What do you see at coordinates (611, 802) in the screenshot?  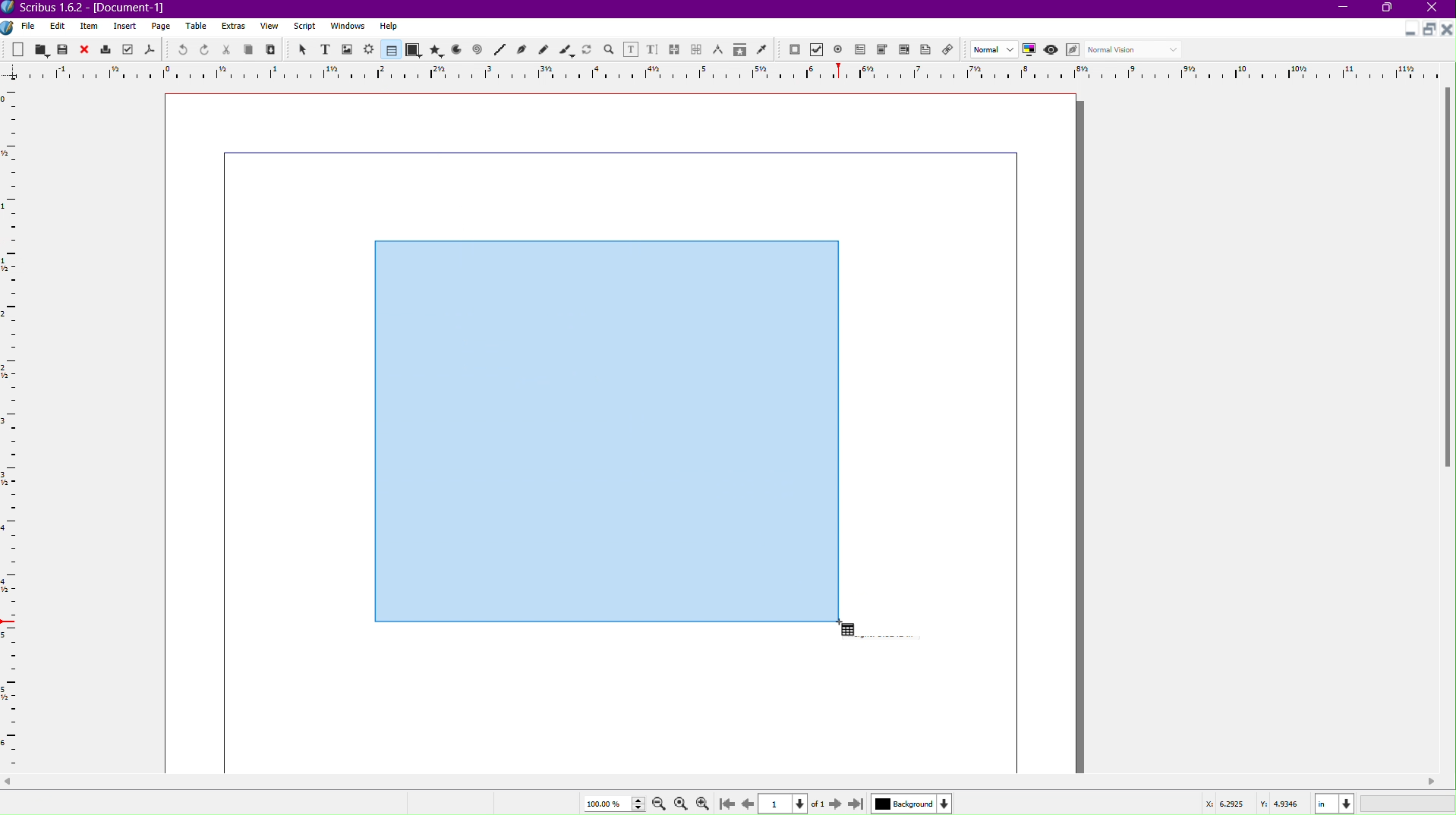 I see `Zoom Value` at bounding box center [611, 802].